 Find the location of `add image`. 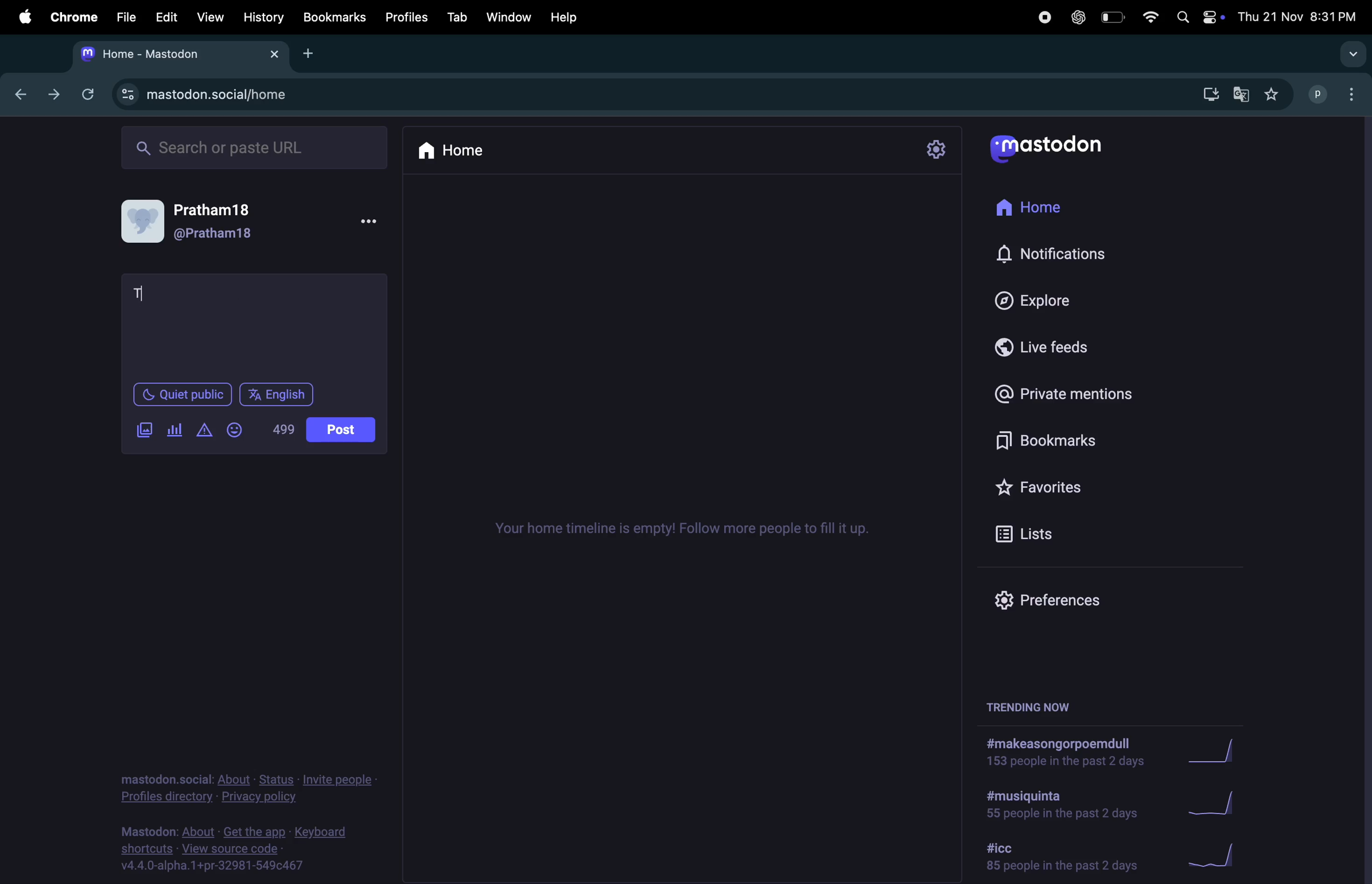

add image is located at coordinates (146, 431).